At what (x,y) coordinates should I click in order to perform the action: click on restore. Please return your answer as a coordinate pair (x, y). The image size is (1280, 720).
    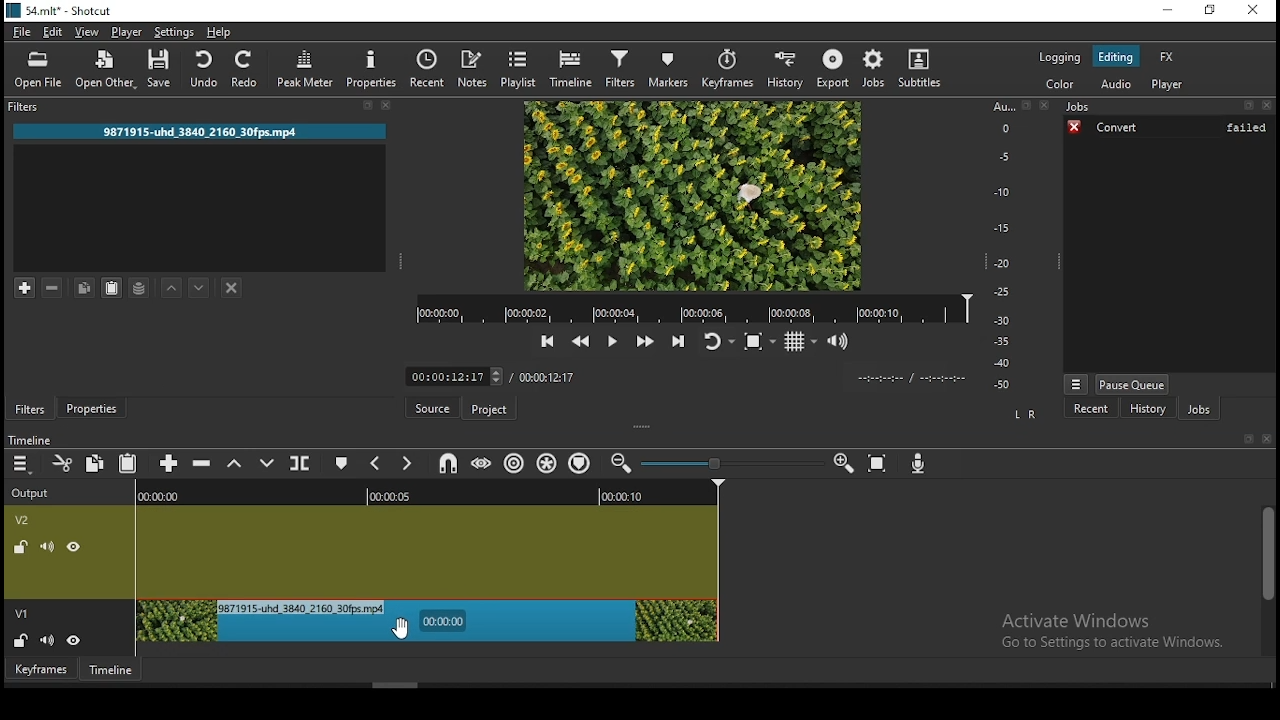
    Looking at the image, I should click on (1211, 10).